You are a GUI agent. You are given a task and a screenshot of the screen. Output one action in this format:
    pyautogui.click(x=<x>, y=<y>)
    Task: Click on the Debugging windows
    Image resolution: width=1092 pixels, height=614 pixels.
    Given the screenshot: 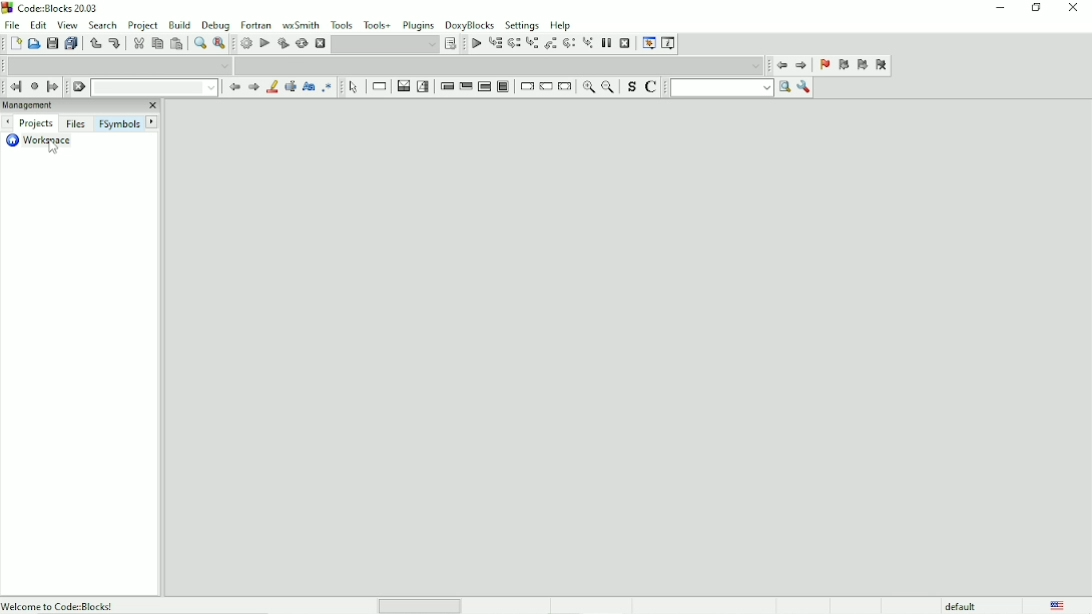 What is the action you would take?
    pyautogui.click(x=647, y=45)
    